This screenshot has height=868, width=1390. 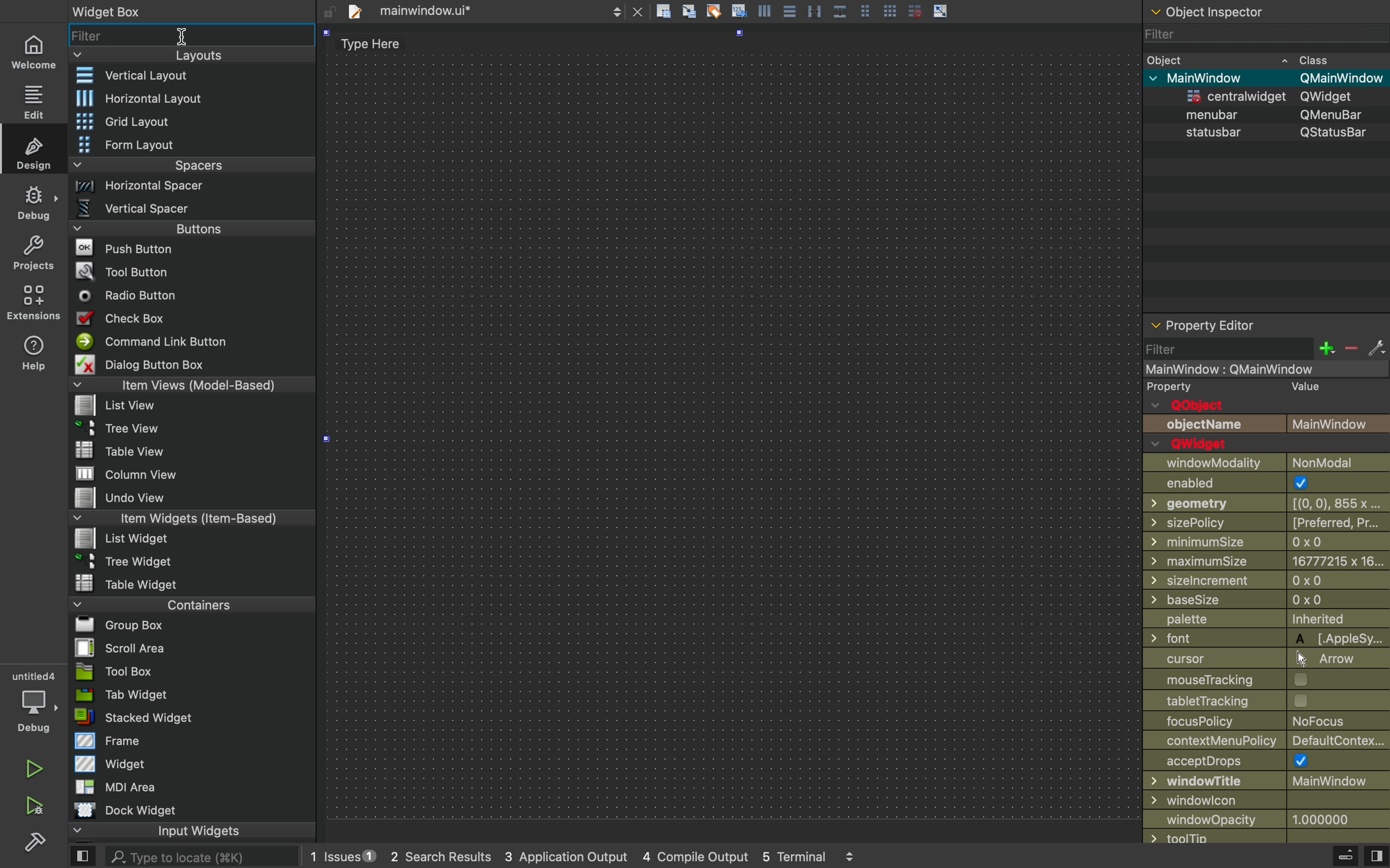 I want to click on cursor, so click(x=182, y=40).